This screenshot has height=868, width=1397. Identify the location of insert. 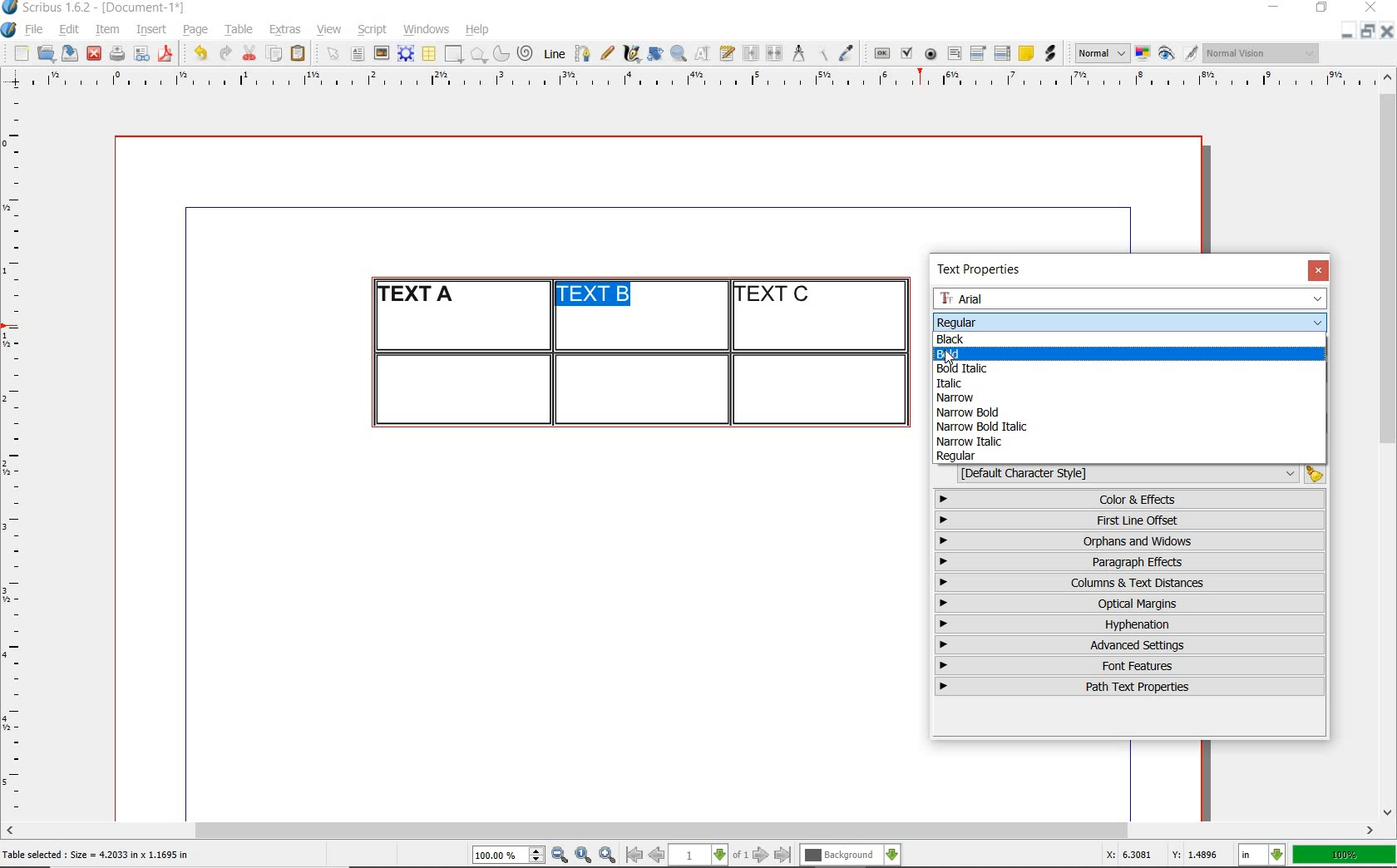
(151, 30).